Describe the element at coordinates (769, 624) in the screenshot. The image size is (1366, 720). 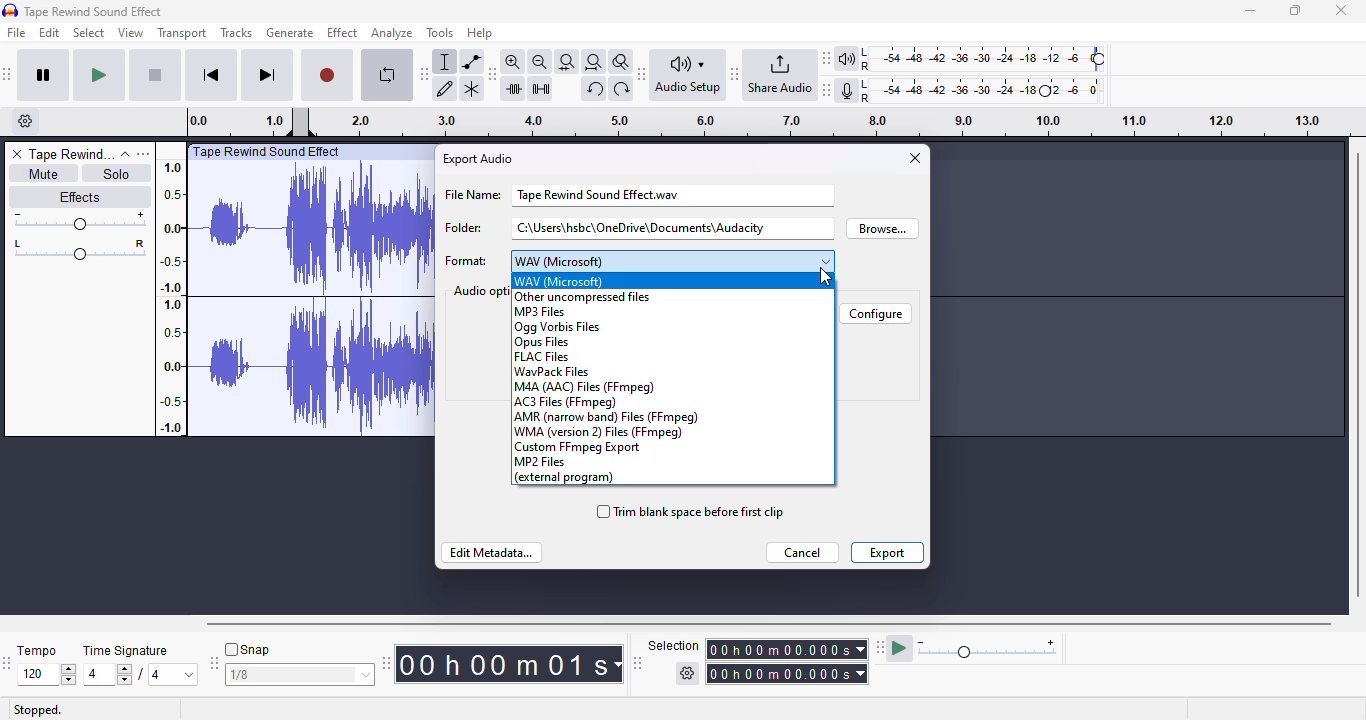
I see `horizontal scrollbar` at that location.